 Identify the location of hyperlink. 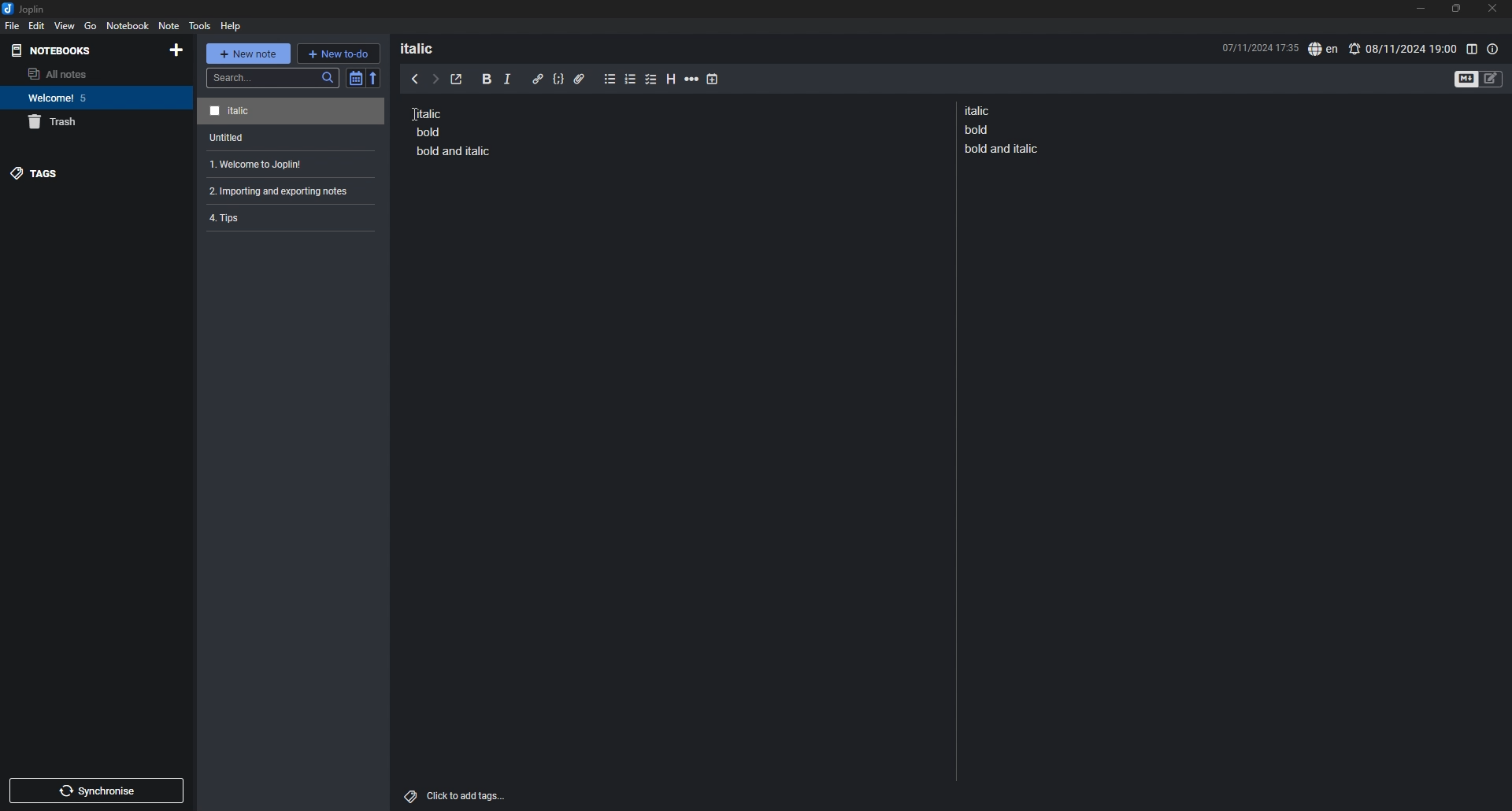
(538, 79).